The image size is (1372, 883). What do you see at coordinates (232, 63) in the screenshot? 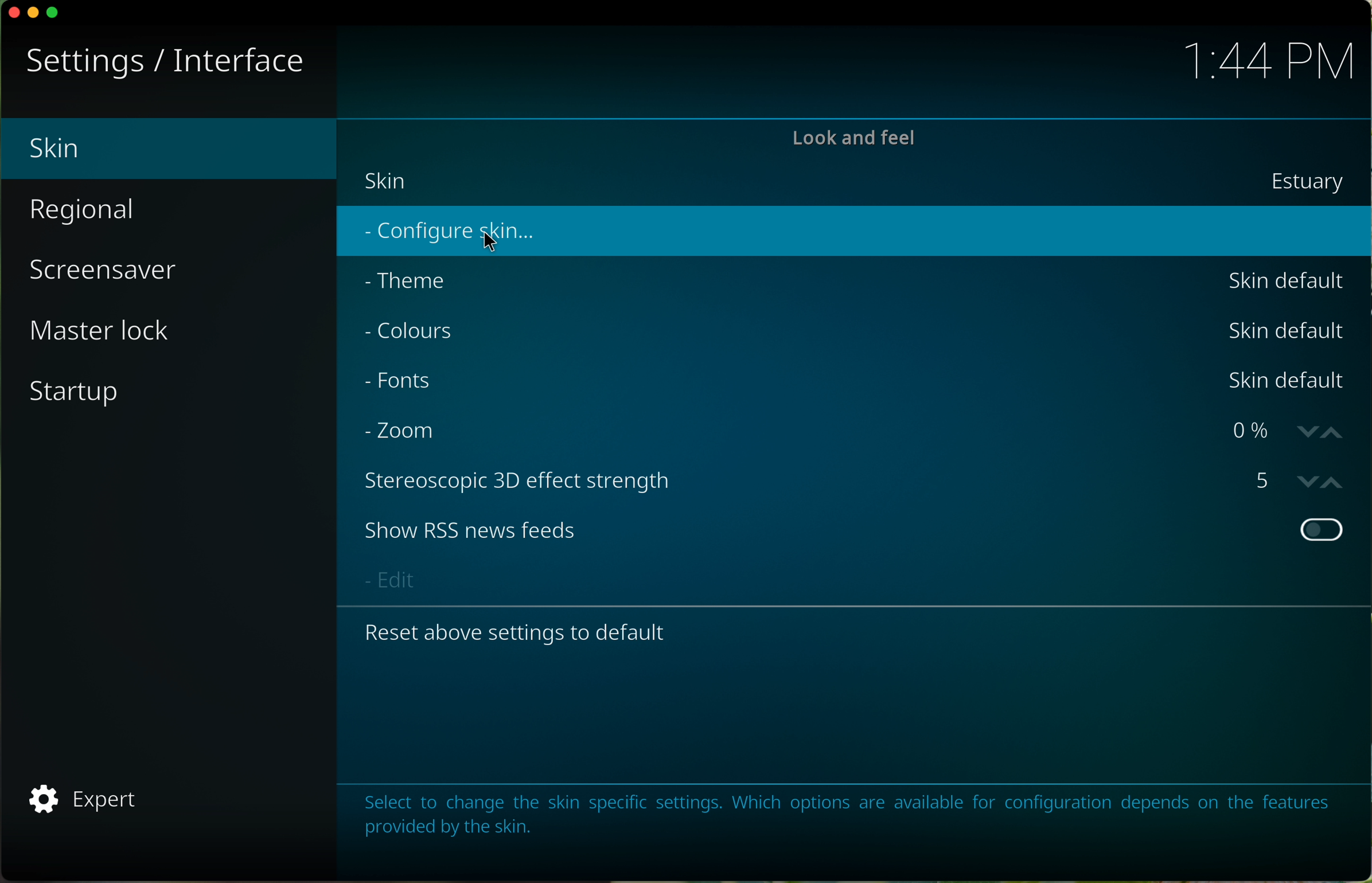
I see `/ Interface` at bounding box center [232, 63].